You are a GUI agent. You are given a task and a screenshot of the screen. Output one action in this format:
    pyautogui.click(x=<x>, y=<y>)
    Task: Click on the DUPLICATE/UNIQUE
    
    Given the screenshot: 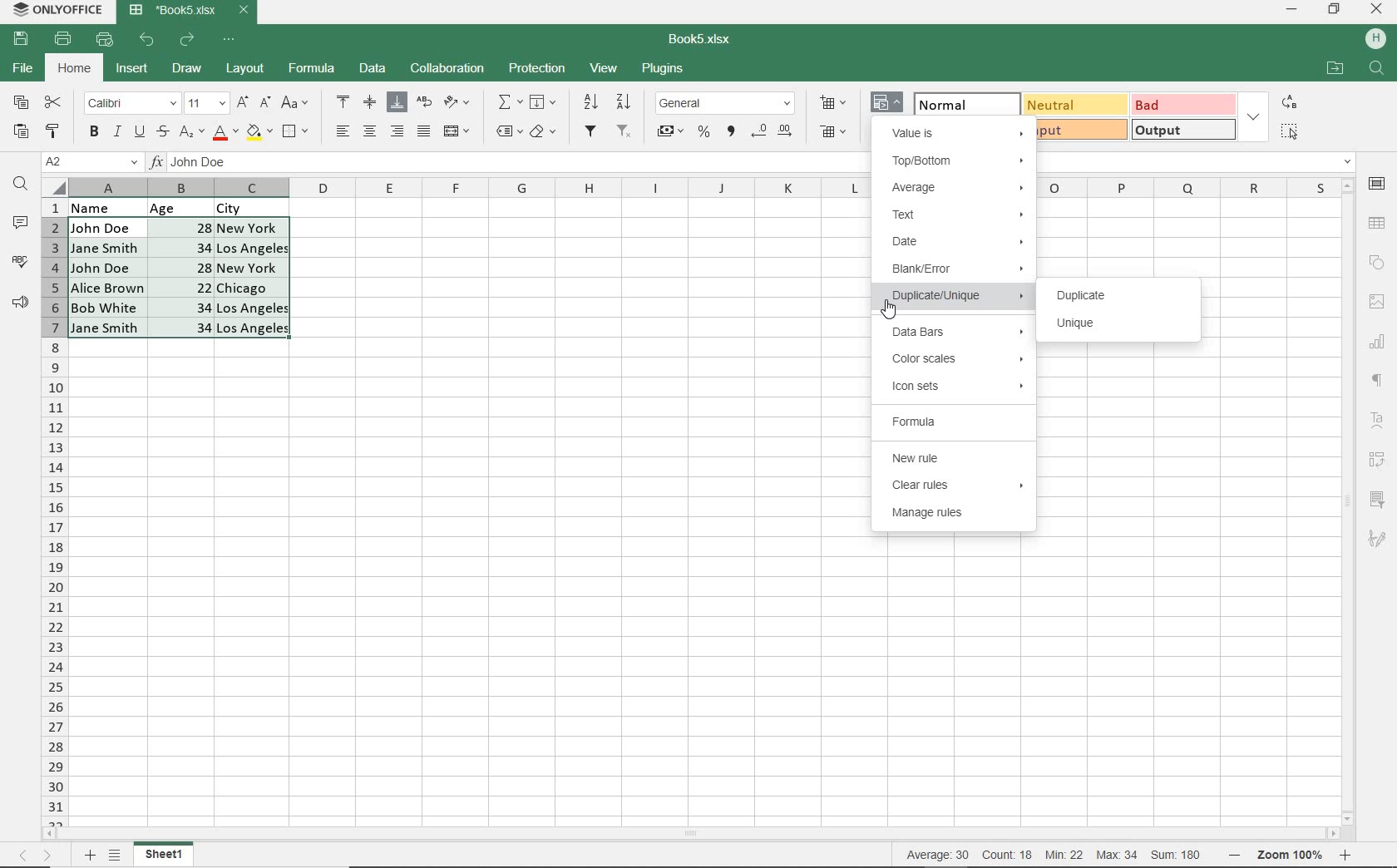 What is the action you would take?
    pyautogui.click(x=959, y=298)
    